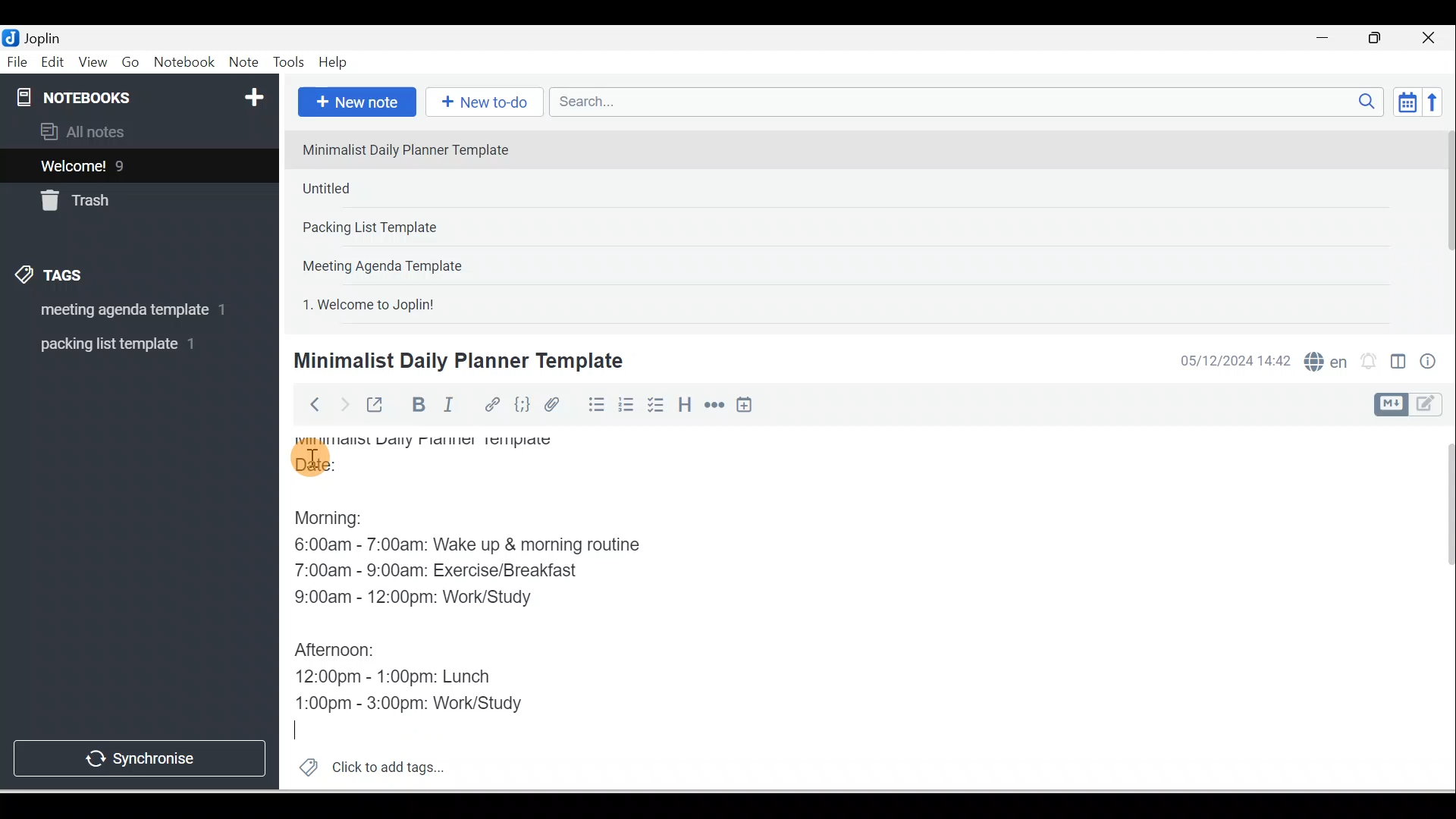  Describe the element at coordinates (354, 103) in the screenshot. I see `New note` at that location.